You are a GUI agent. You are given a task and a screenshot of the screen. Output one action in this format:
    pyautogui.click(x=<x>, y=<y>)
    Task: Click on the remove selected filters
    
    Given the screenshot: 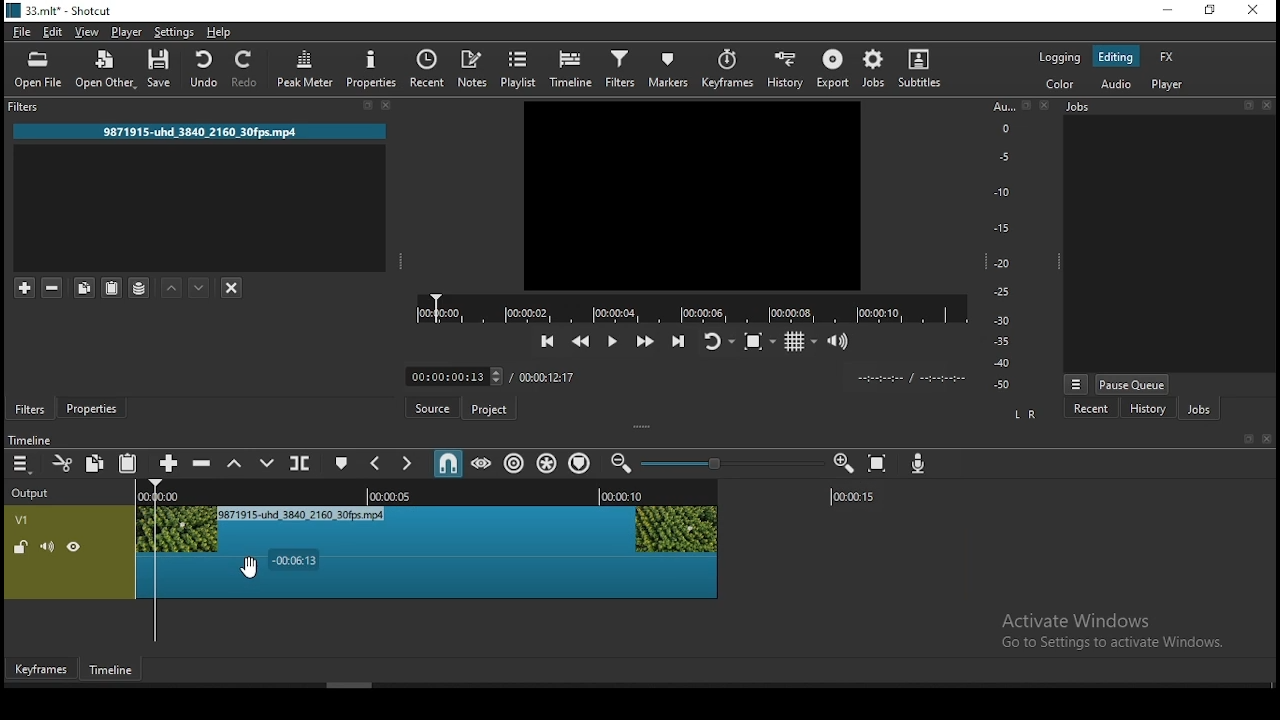 What is the action you would take?
    pyautogui.click(x=55, y=285)
    